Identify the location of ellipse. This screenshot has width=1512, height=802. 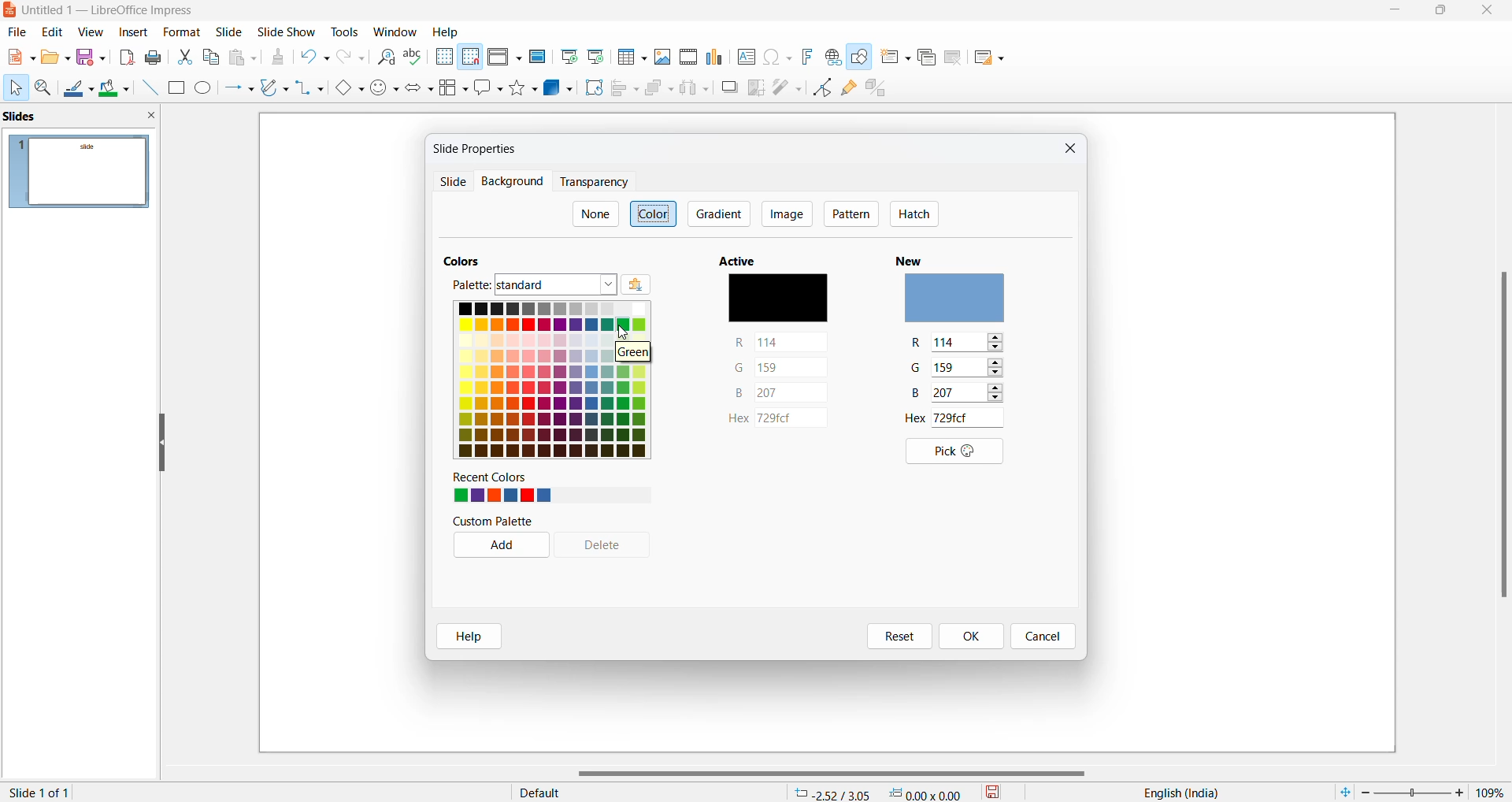
(205, 89).